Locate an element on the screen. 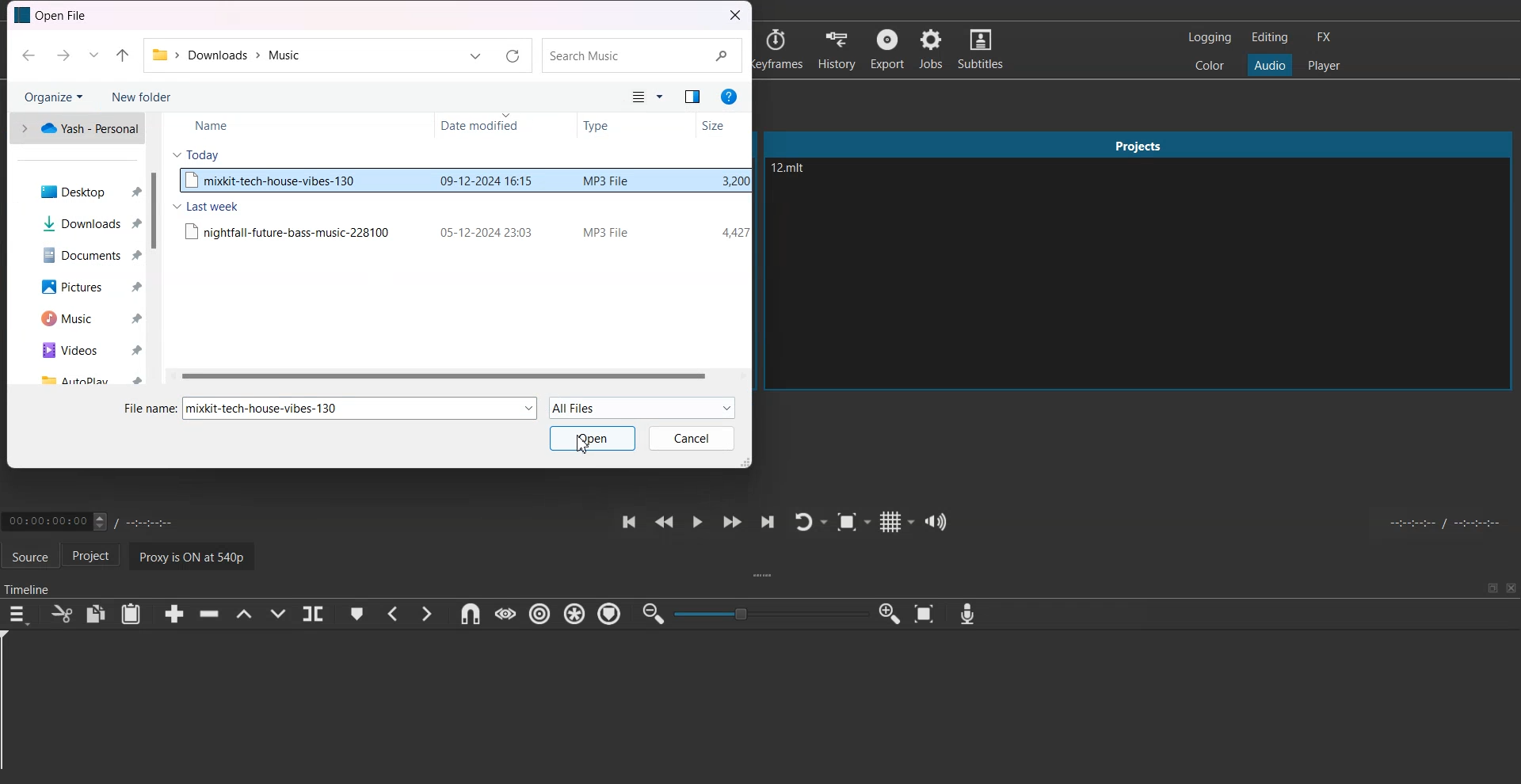 The width and height of the screenshot is (1521, 784). Lift is located at coordinates (243, 614).